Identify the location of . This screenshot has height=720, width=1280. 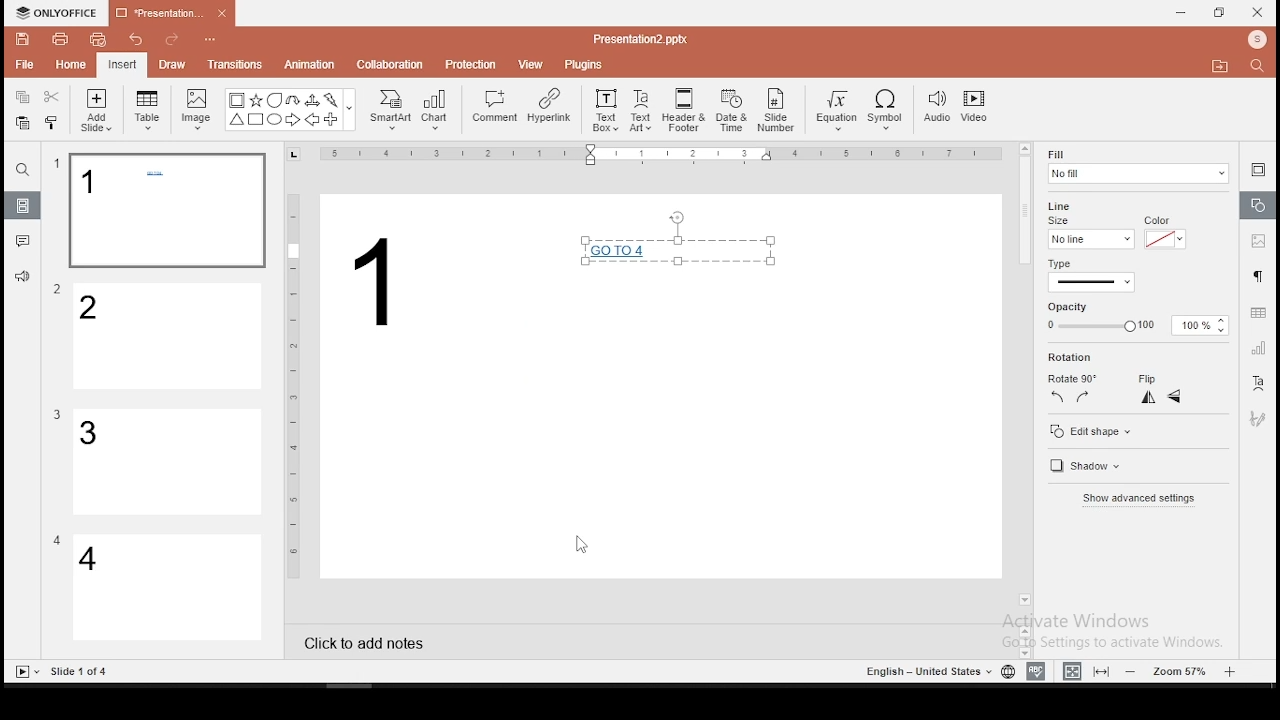
(1253, 418).